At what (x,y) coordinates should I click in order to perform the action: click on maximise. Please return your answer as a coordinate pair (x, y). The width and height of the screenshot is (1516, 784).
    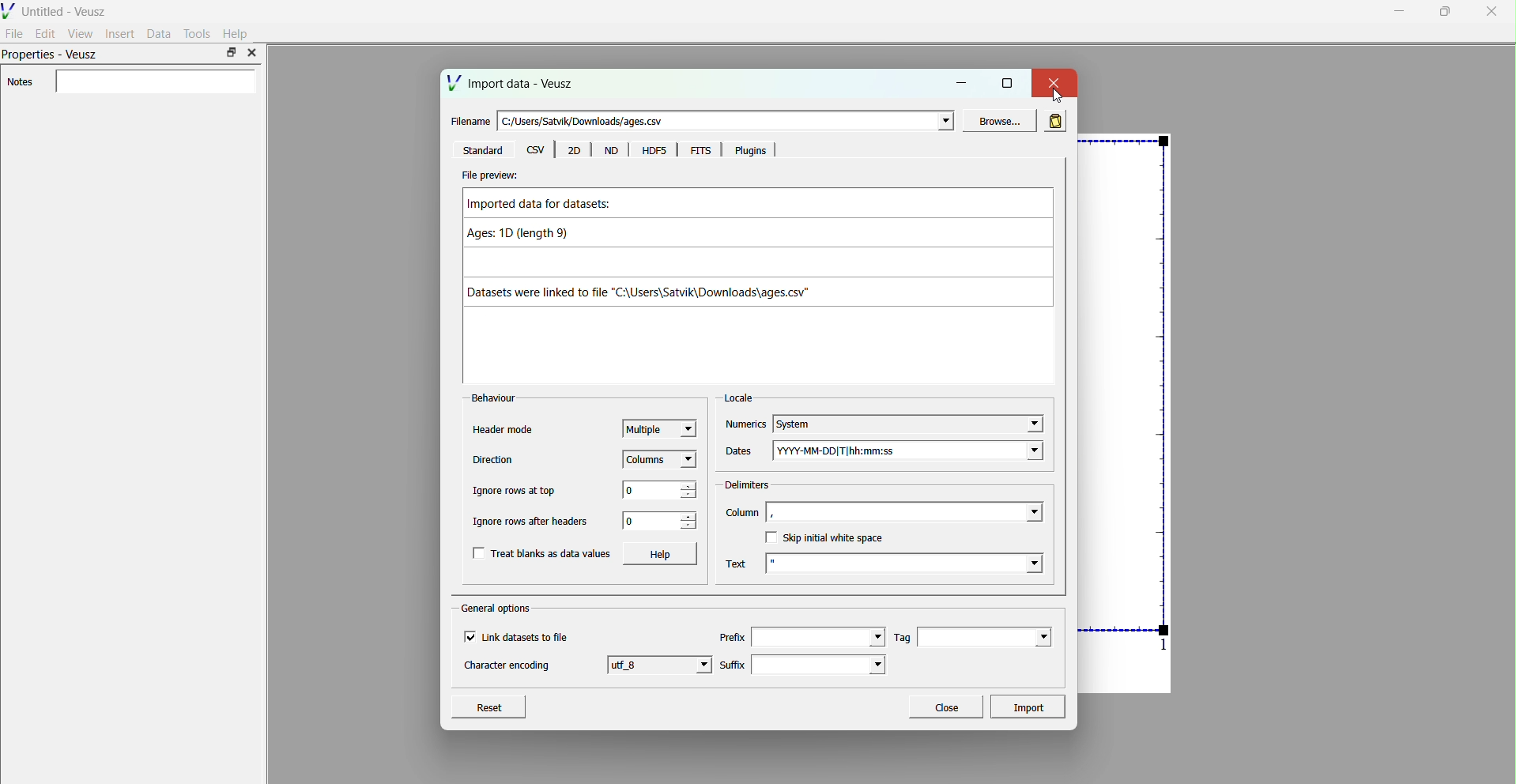
    Looking at the image, I should click on (1442, 11).